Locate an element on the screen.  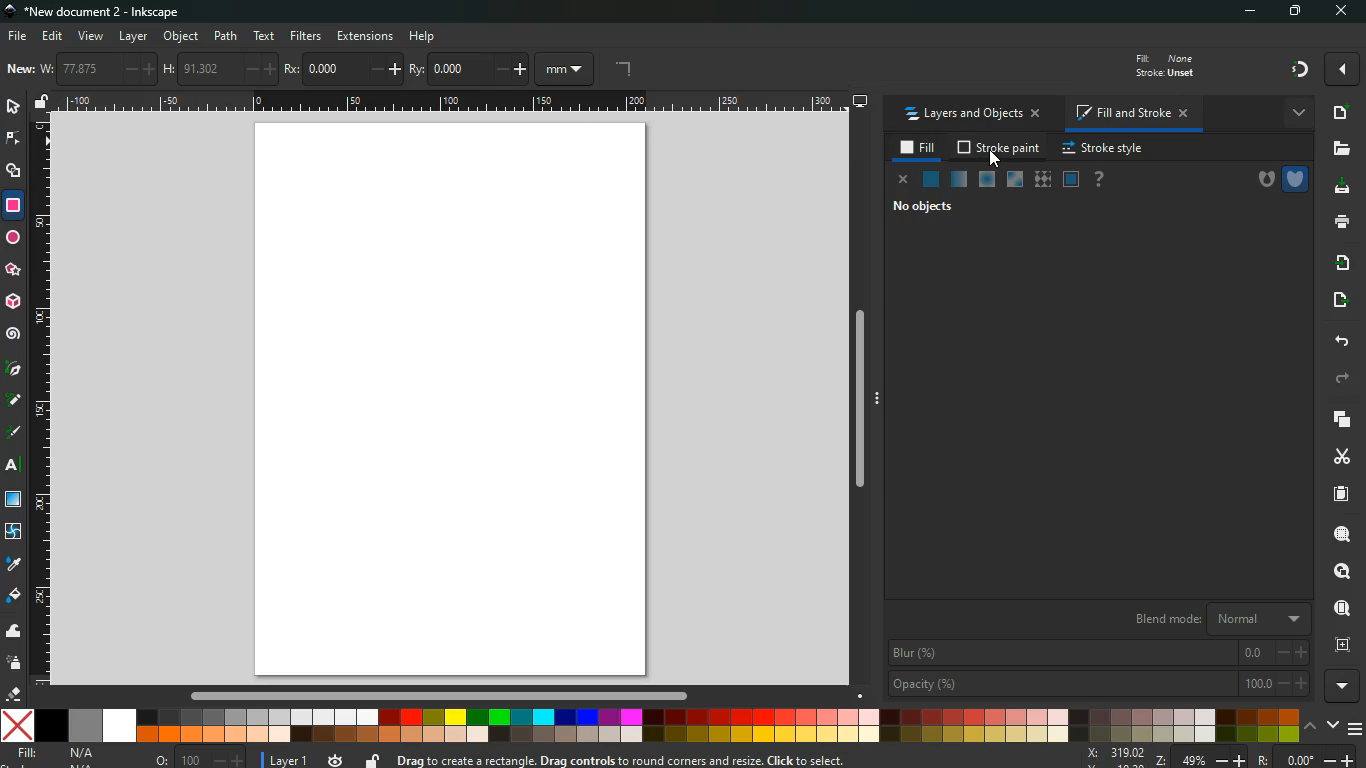
message is located at coordinates (675, 760).